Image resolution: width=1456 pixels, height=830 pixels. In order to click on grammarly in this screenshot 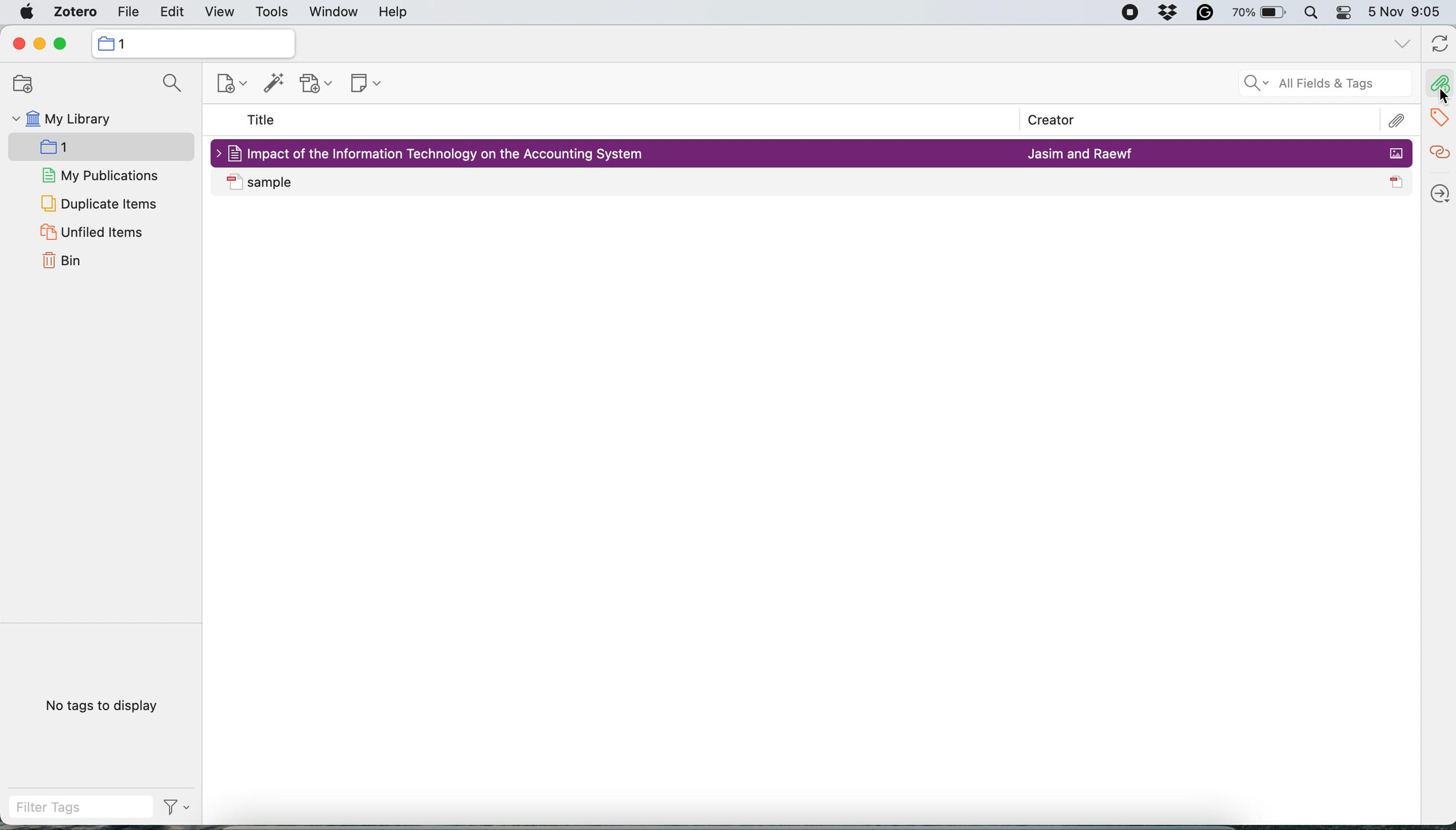, I will do `click(1202, 15)`.